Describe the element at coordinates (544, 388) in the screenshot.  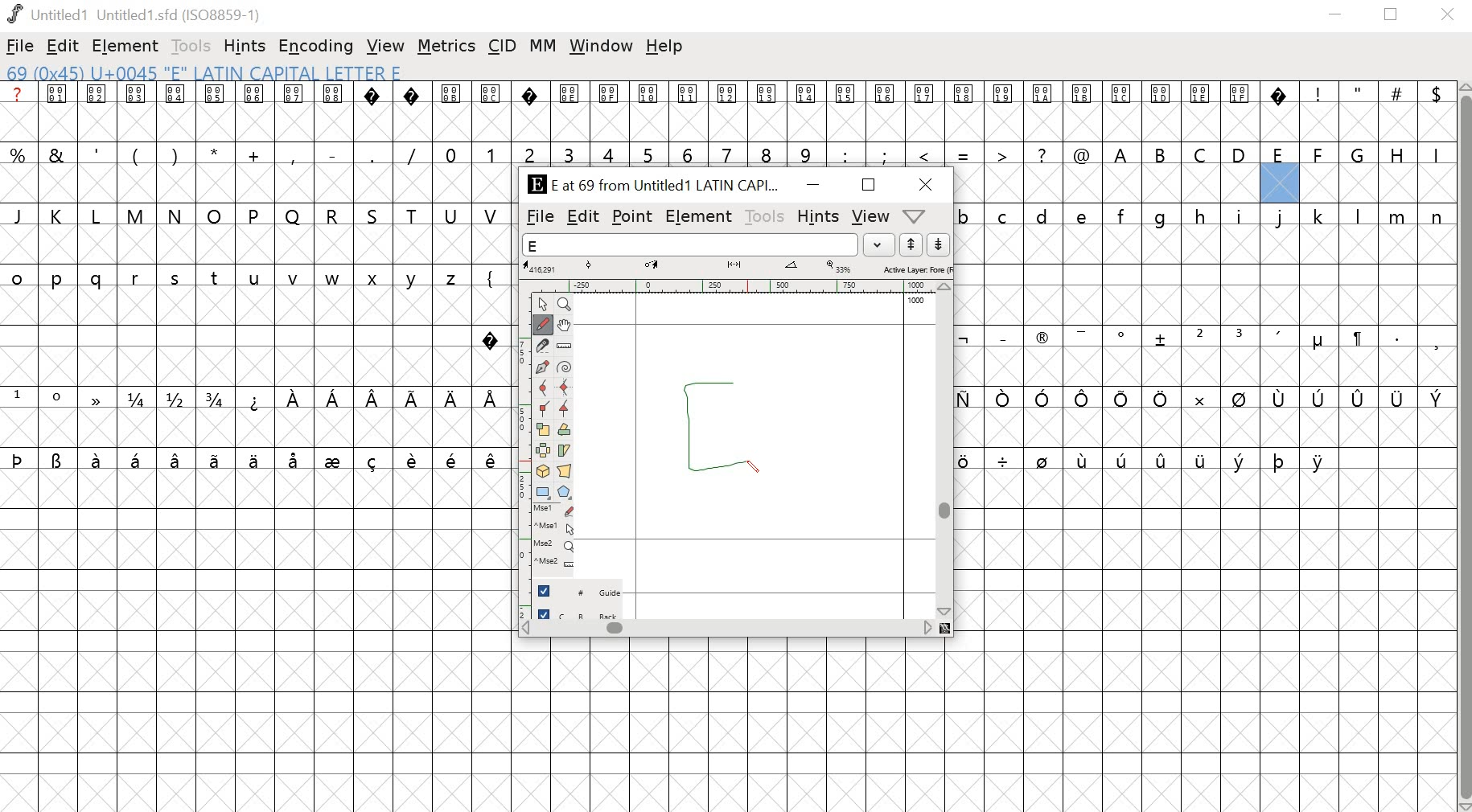
I see `Curve` at that location.